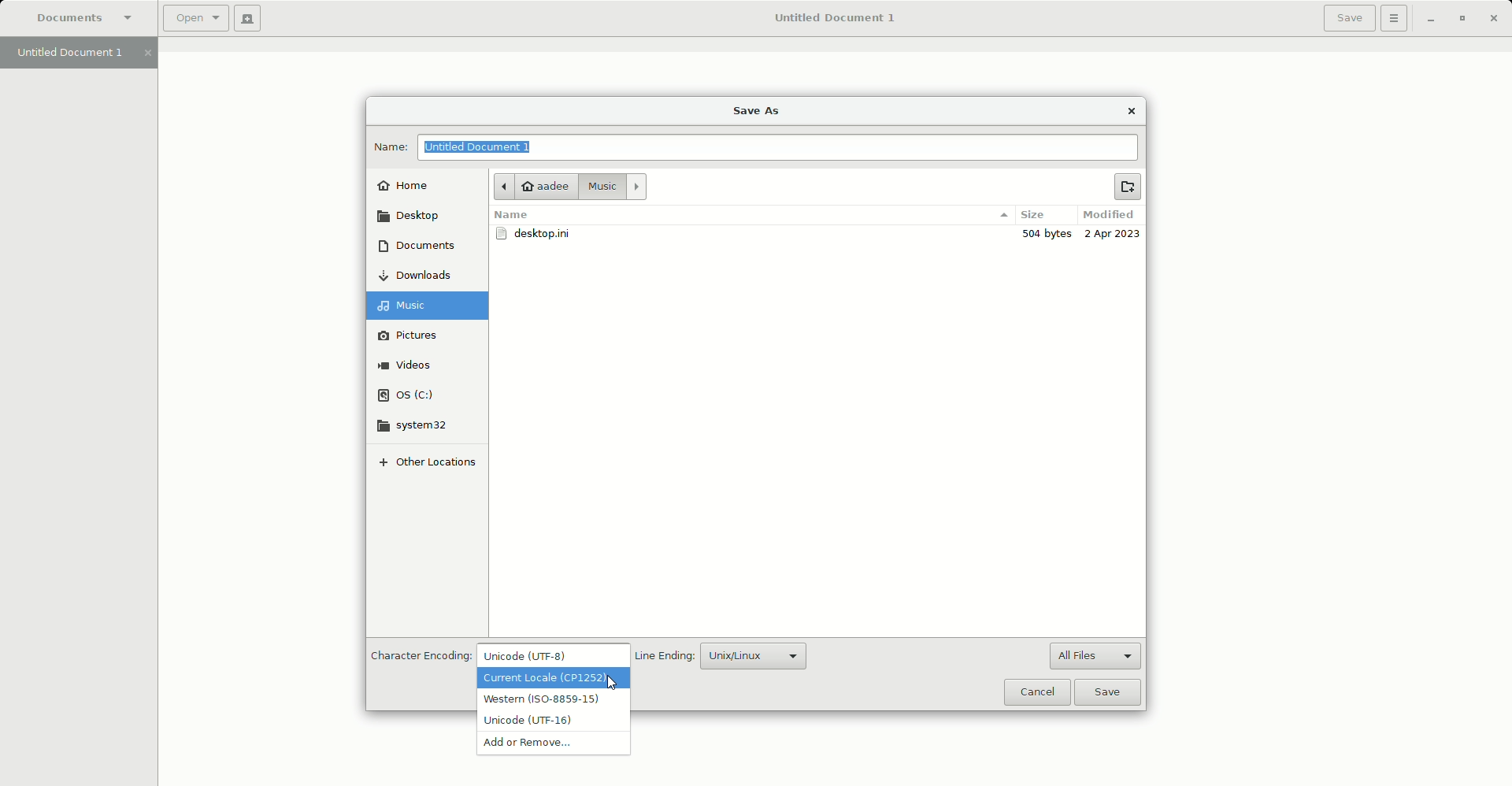 The image size is (1512, 786). Describe the element at coordinates (513, 215) in the screenshot. I see `Name` at that location.